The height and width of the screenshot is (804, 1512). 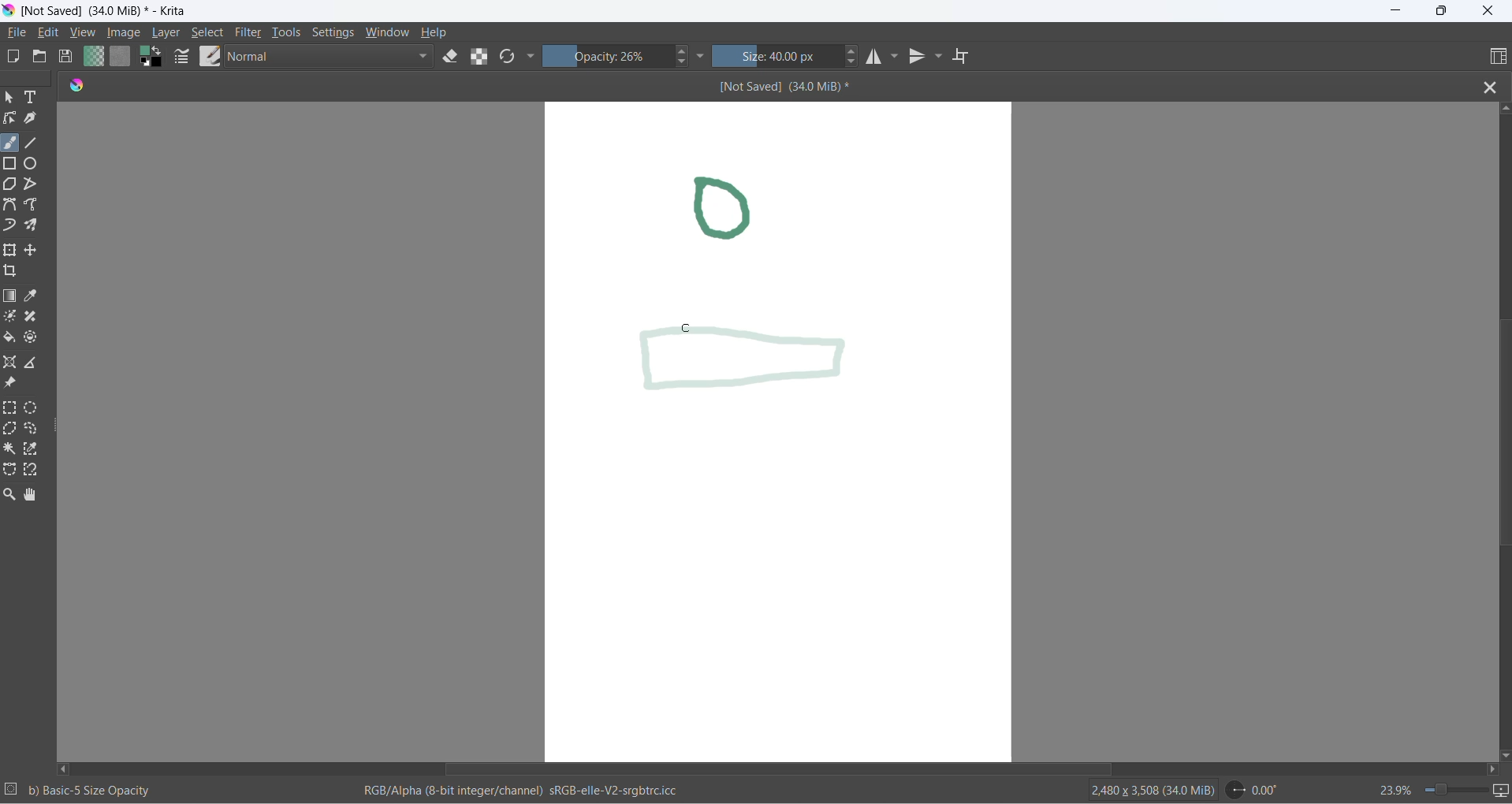 I want to click on sample a color from image, so click(x=34, y=297).